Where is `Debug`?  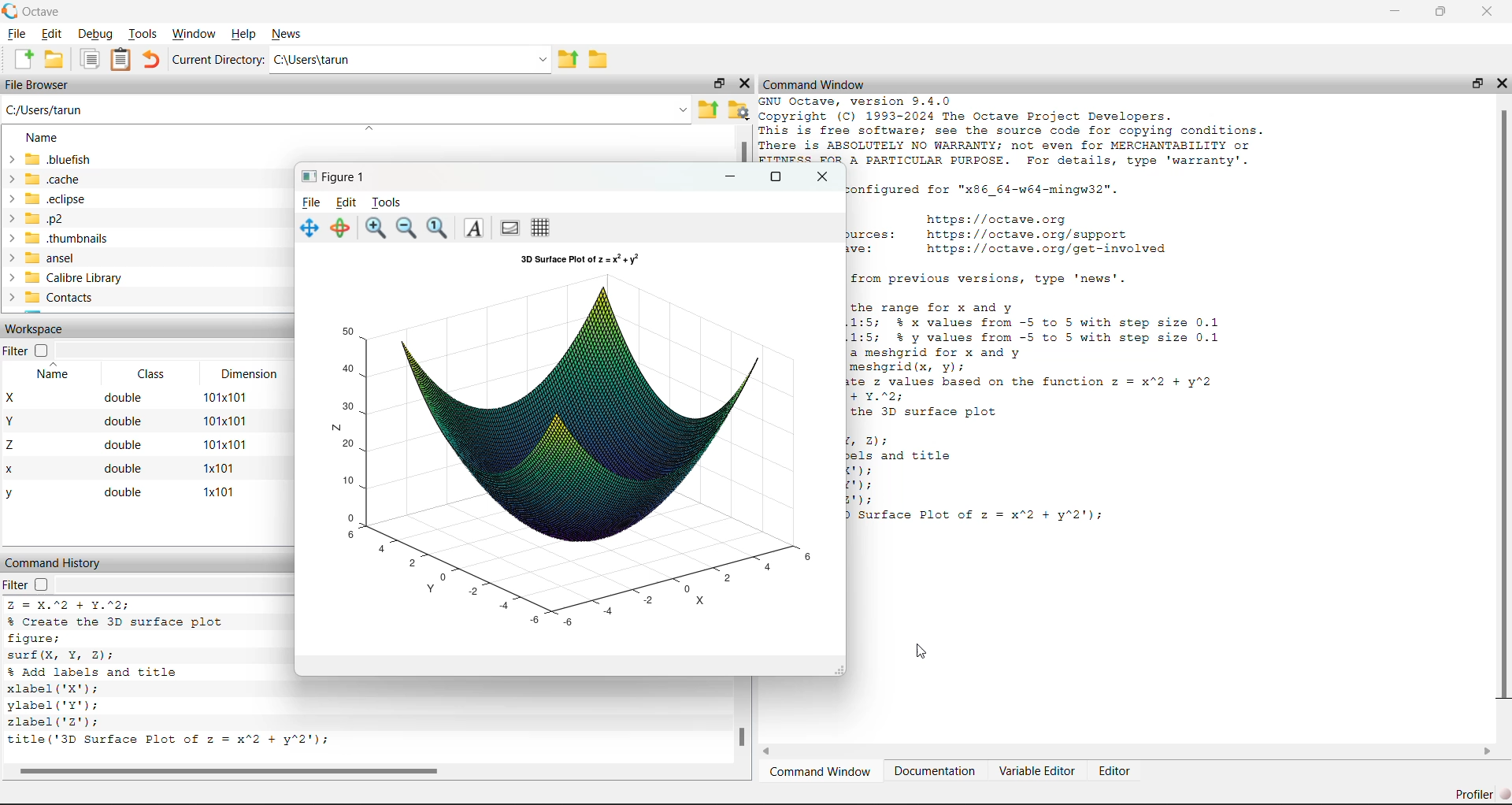
Debug is located at coordinates (95, 33).